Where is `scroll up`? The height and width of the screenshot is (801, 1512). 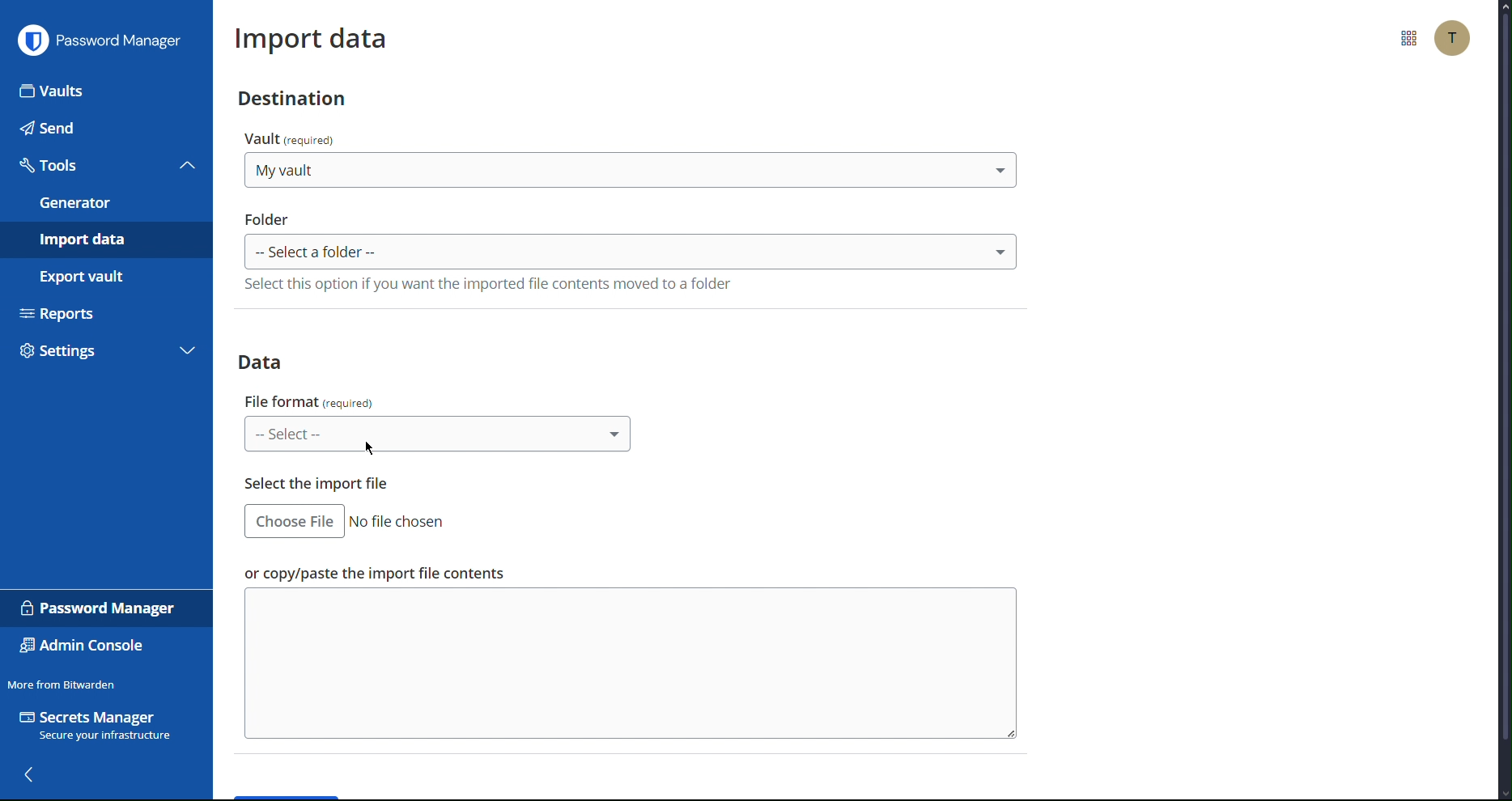
scroll up is located at coordinates (1502, 6).